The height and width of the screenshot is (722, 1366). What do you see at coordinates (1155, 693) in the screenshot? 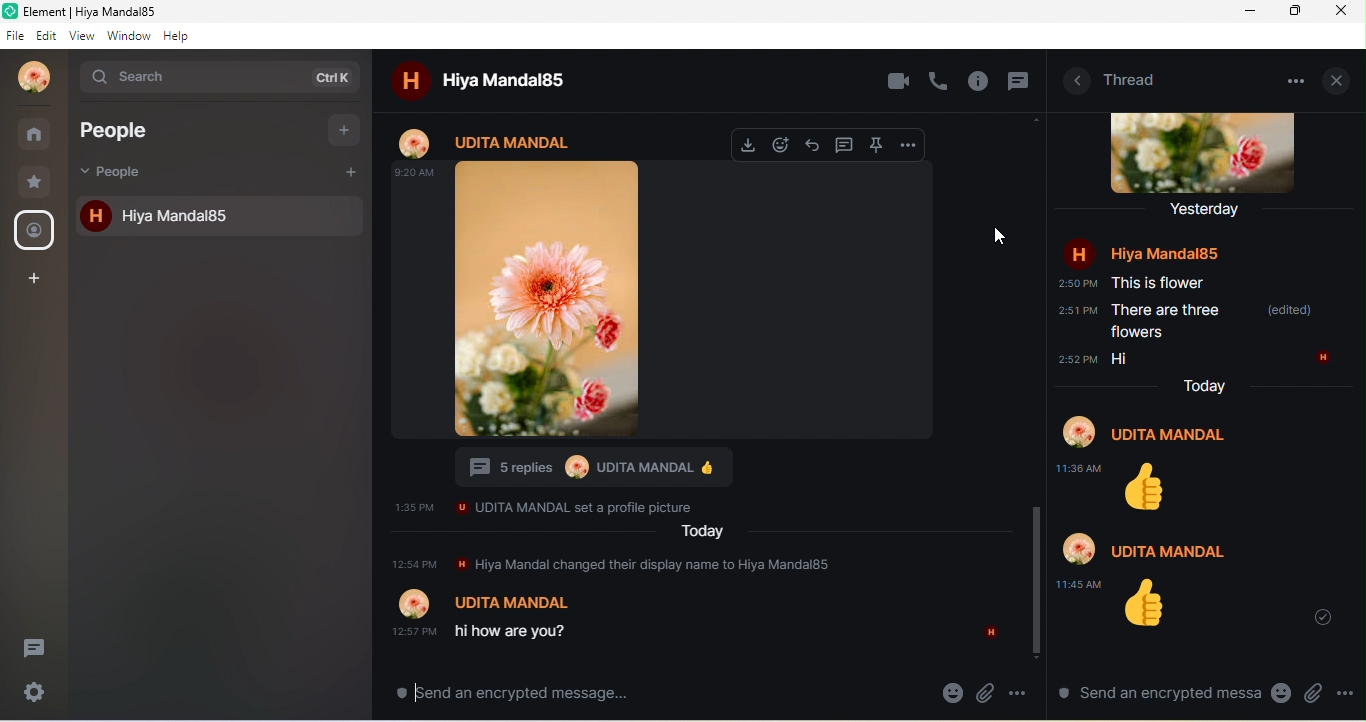
I see `send an encrypted message` at bounding box center [1155, 693].